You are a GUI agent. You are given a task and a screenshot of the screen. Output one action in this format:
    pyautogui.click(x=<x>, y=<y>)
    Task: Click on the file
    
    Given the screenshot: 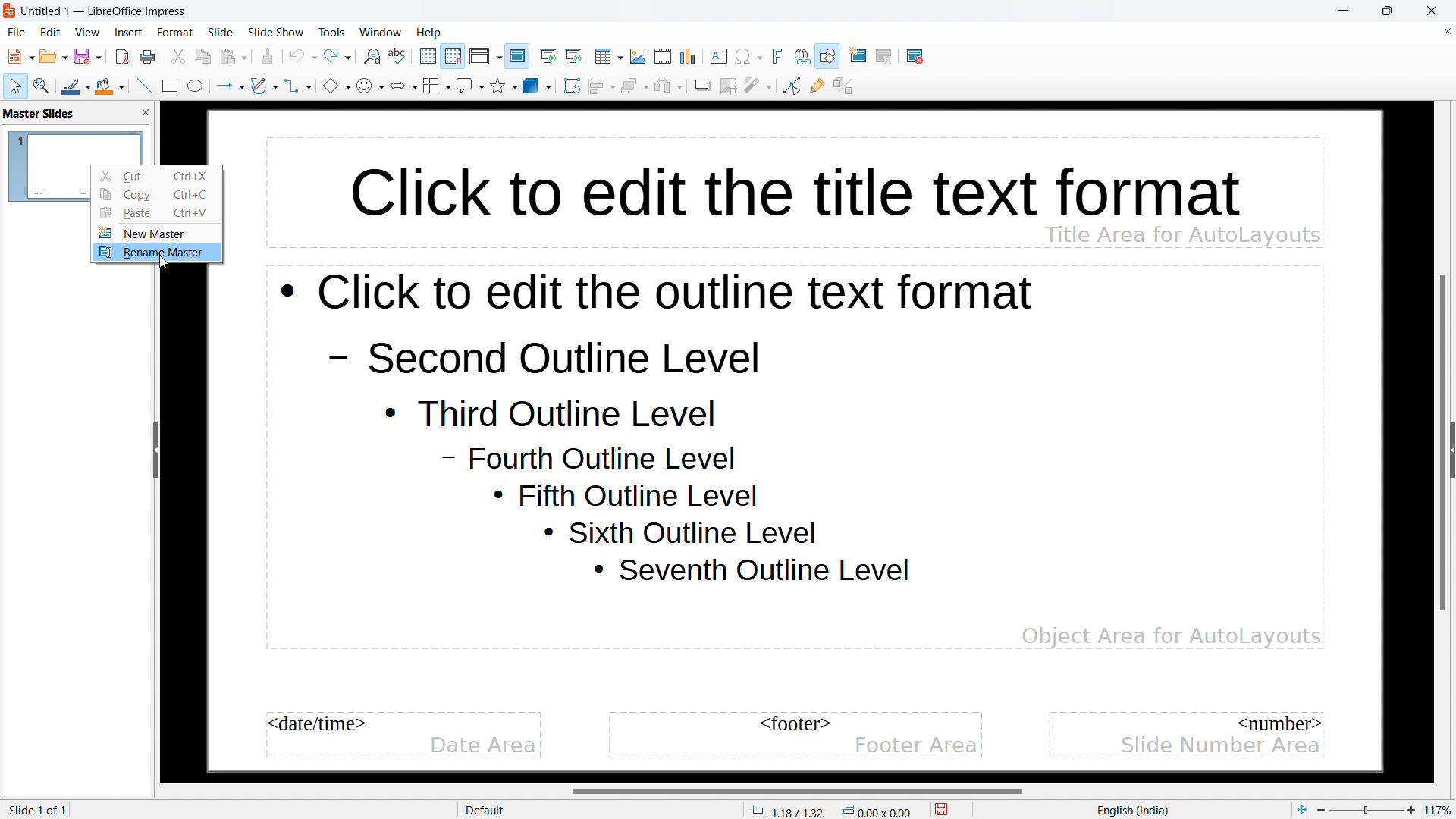 What is the action you would take?
    pyautogui.click(x=17, y=33)
    